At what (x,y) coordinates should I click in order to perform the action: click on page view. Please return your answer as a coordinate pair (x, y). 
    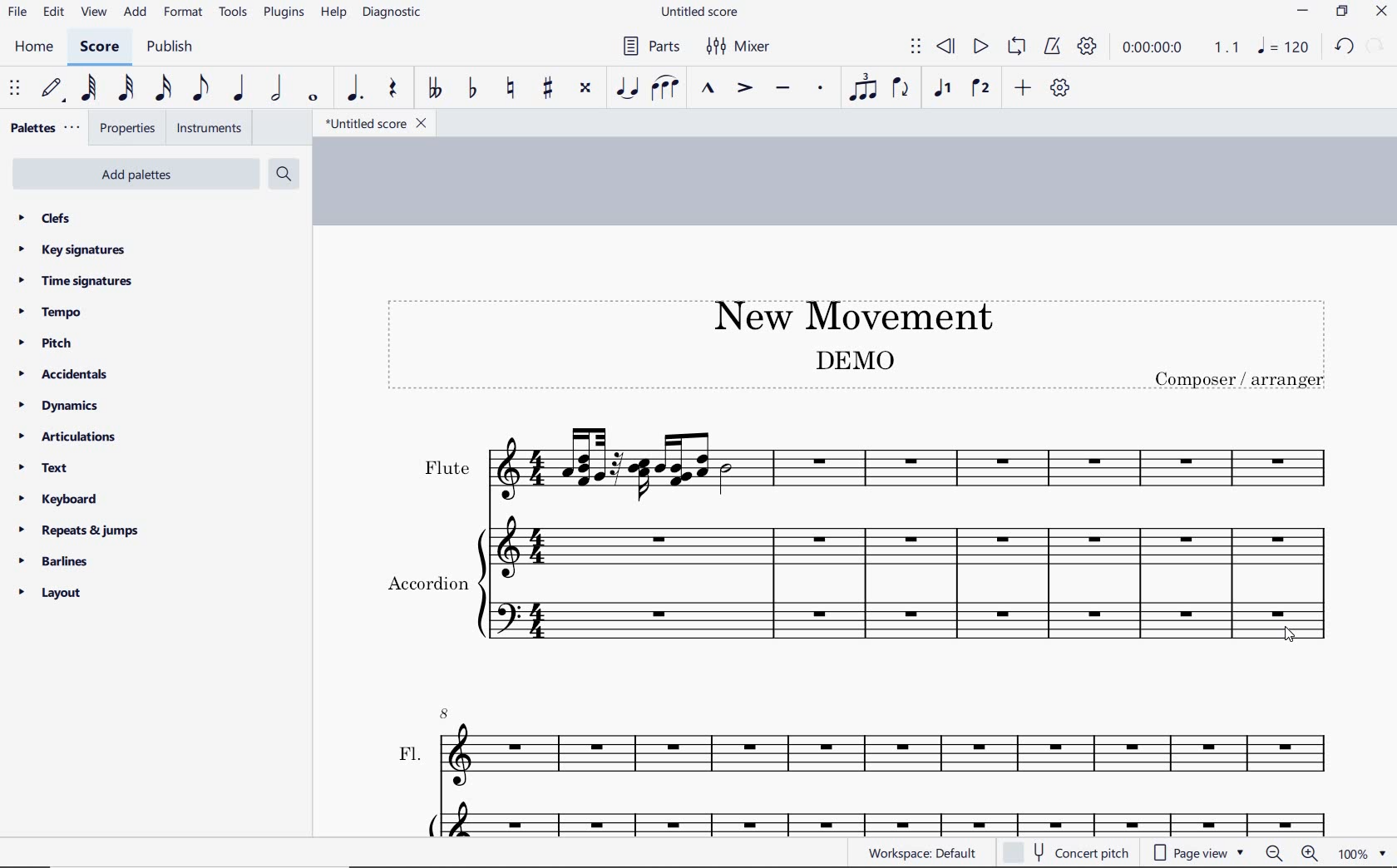
    Looking at the image, I should click on (1199, 853).